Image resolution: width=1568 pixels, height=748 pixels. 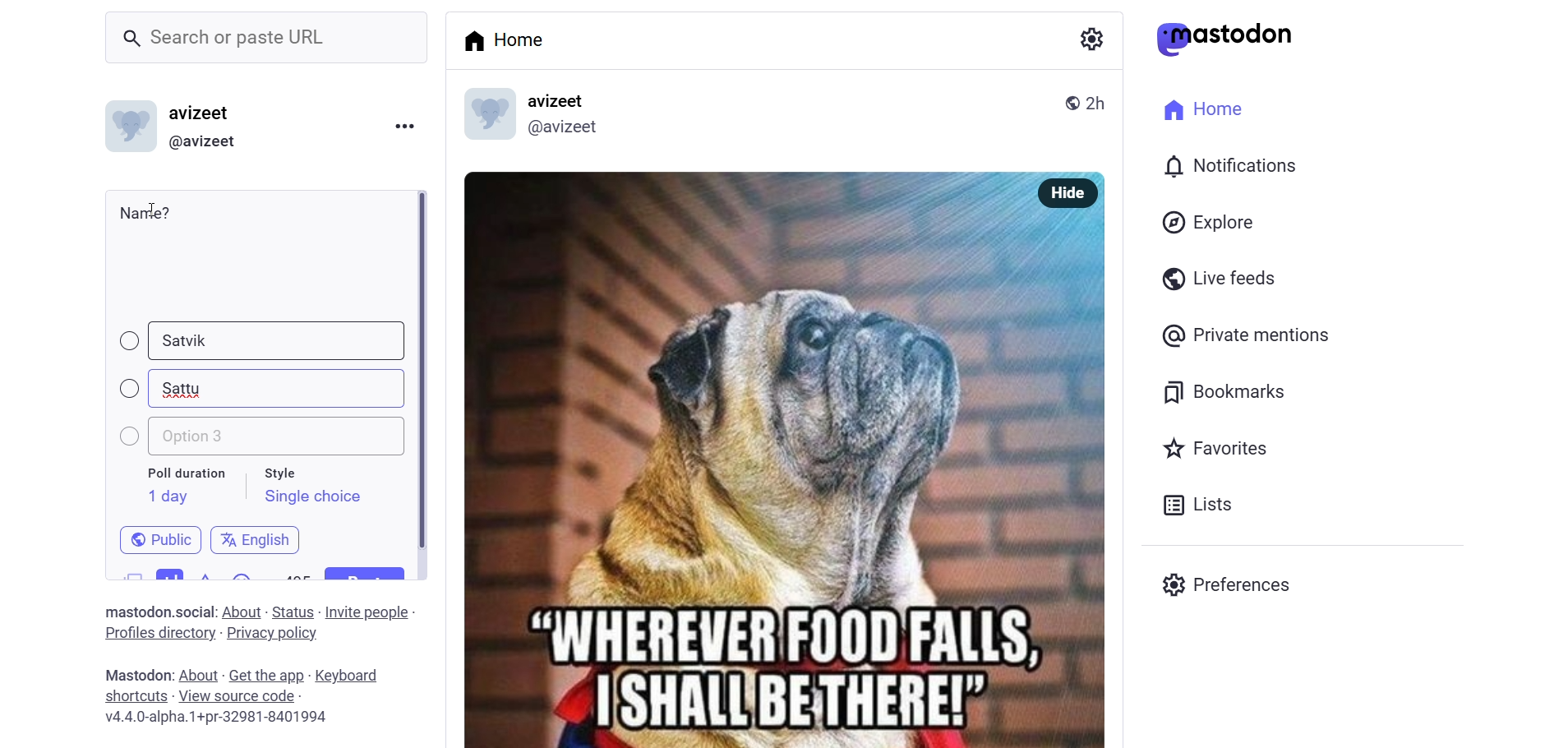 I want to click on explore, so click(x=1211, y=222).